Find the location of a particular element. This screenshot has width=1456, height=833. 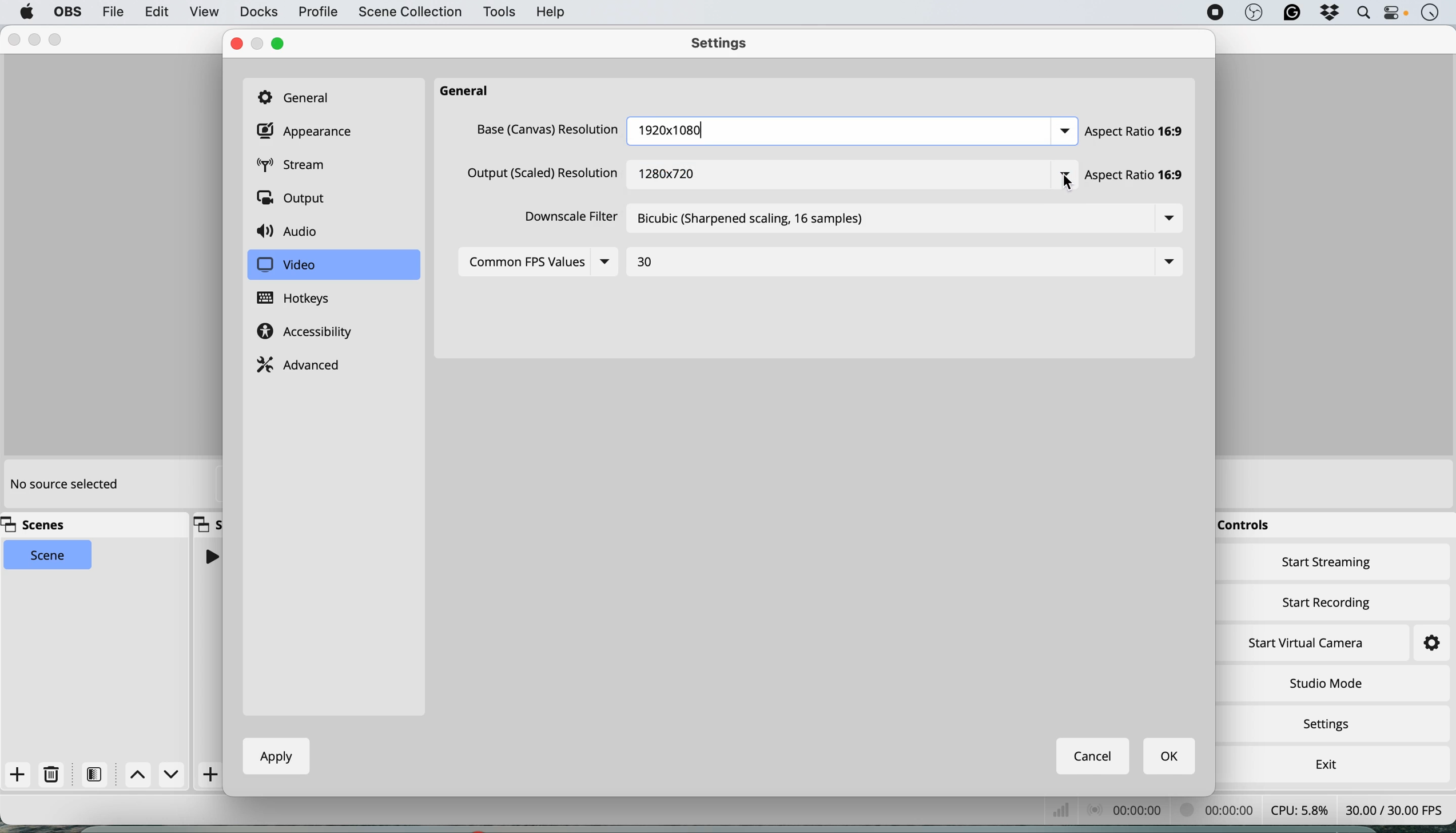

list is located at coordinates (1163, 262).